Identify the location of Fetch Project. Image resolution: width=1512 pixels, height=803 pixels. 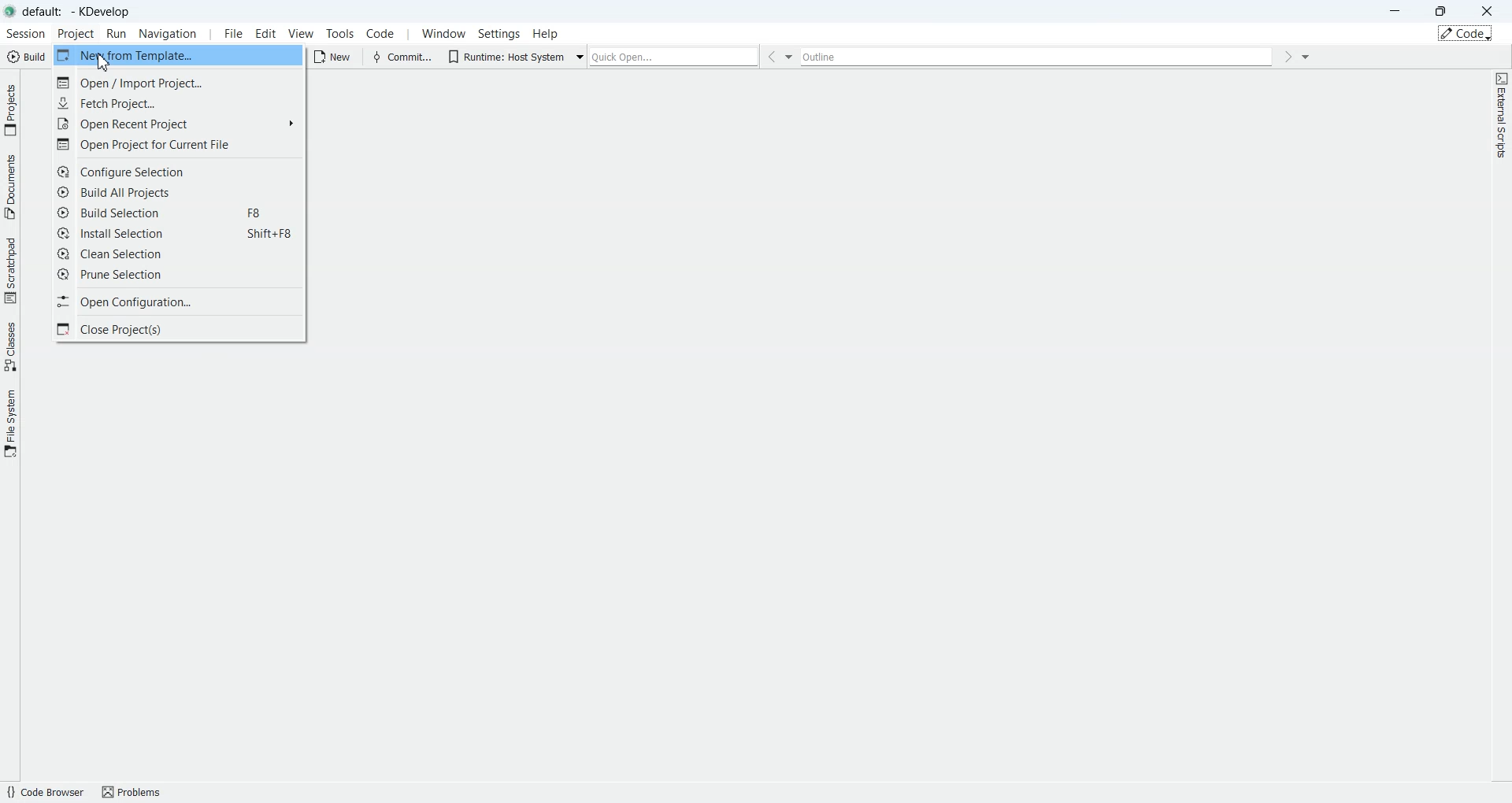
(178, 103).